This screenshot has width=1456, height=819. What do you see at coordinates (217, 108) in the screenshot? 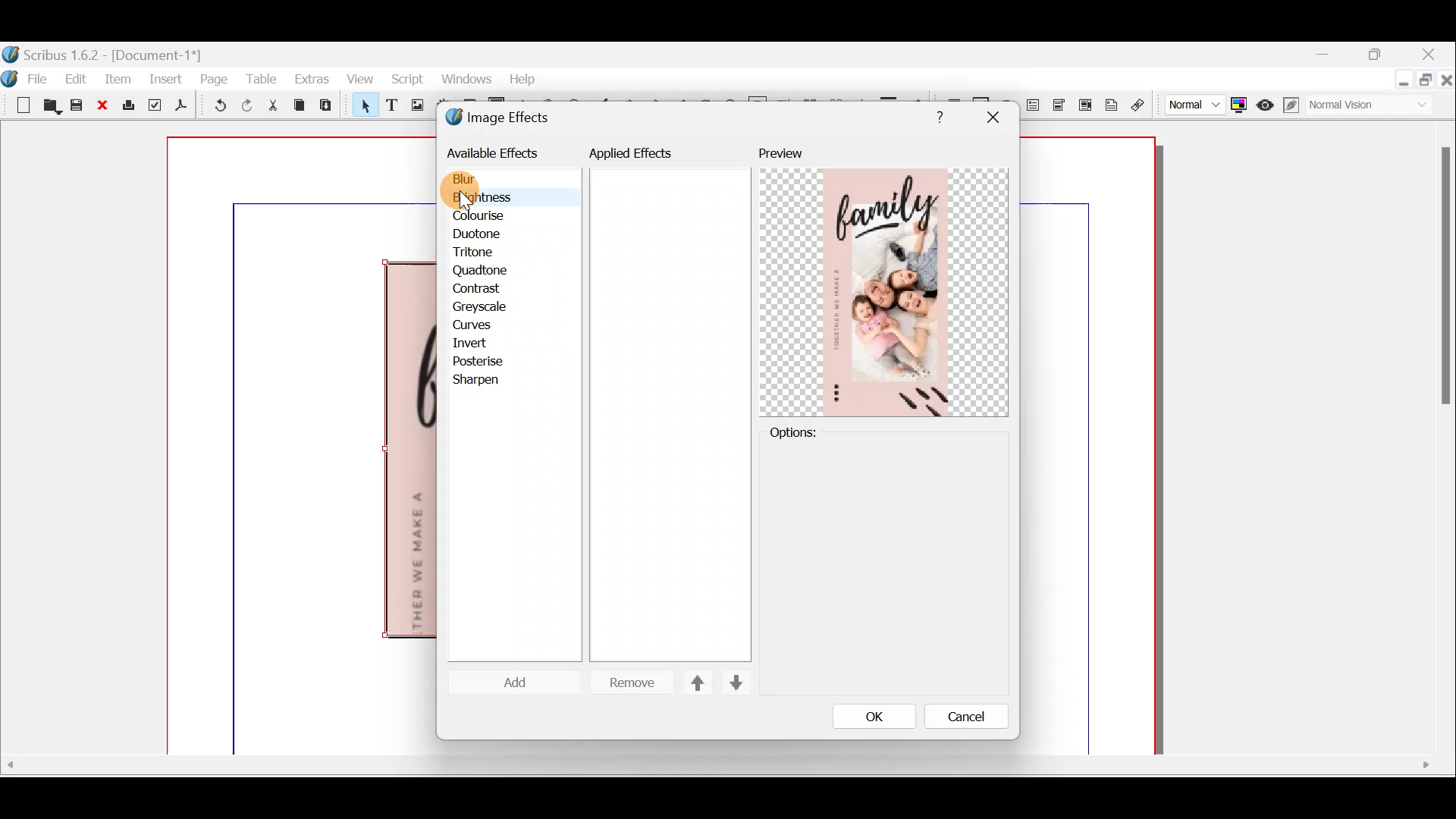
I see `Undo` at bounding box center [217, 108].